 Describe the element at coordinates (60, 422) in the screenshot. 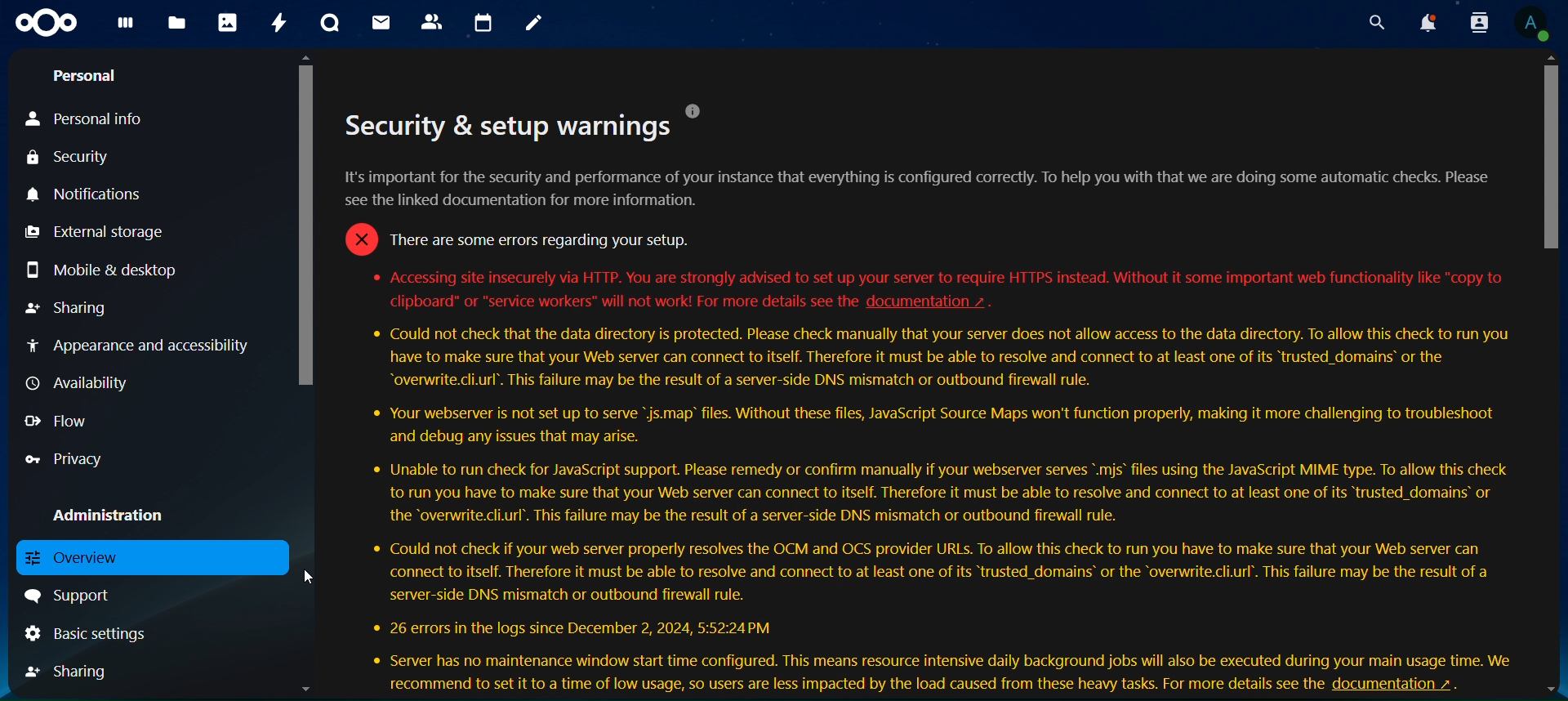

I see `flow` at that location.